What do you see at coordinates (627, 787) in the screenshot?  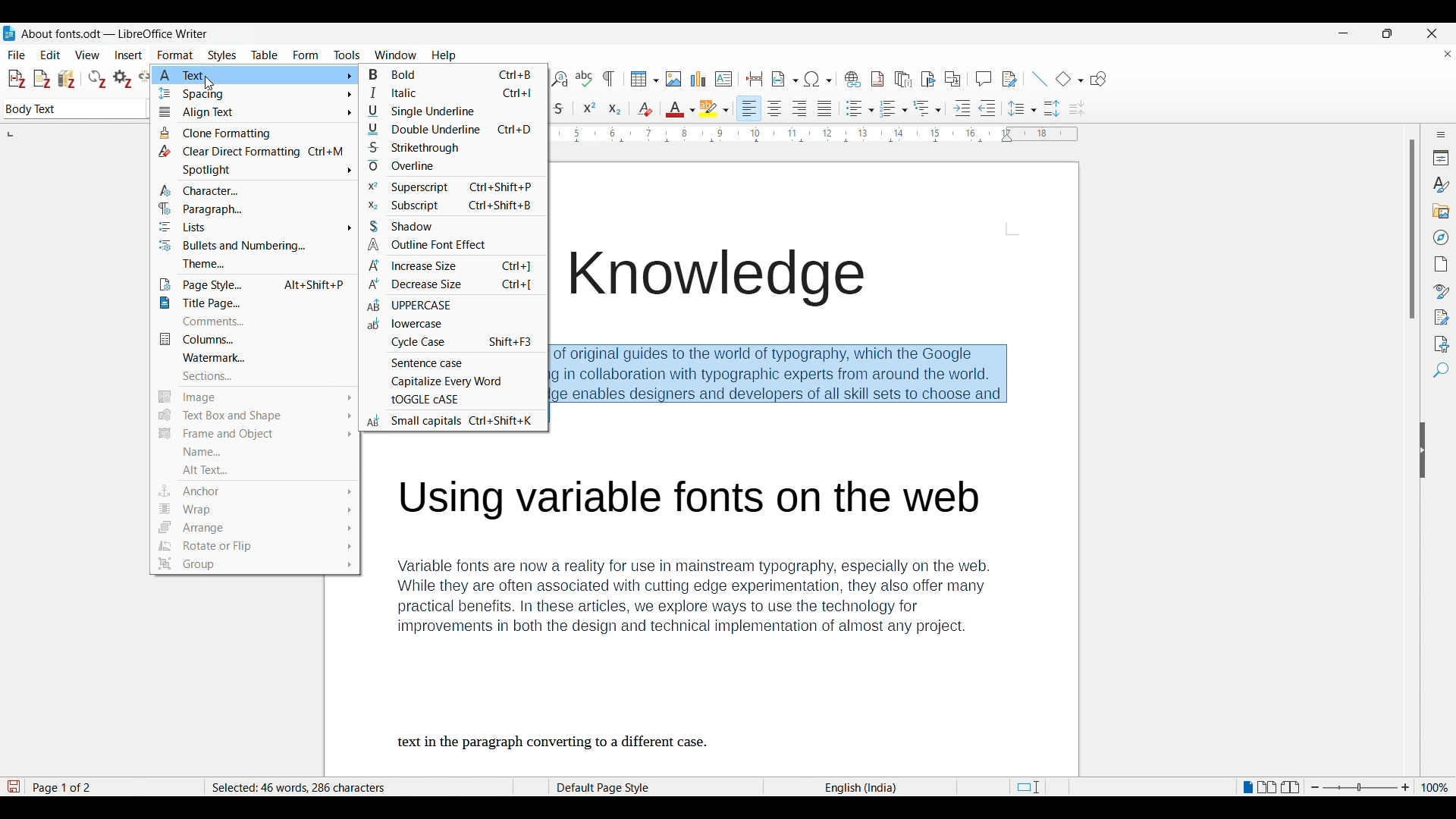 I see `Page style` at bounding box center [627, 787].